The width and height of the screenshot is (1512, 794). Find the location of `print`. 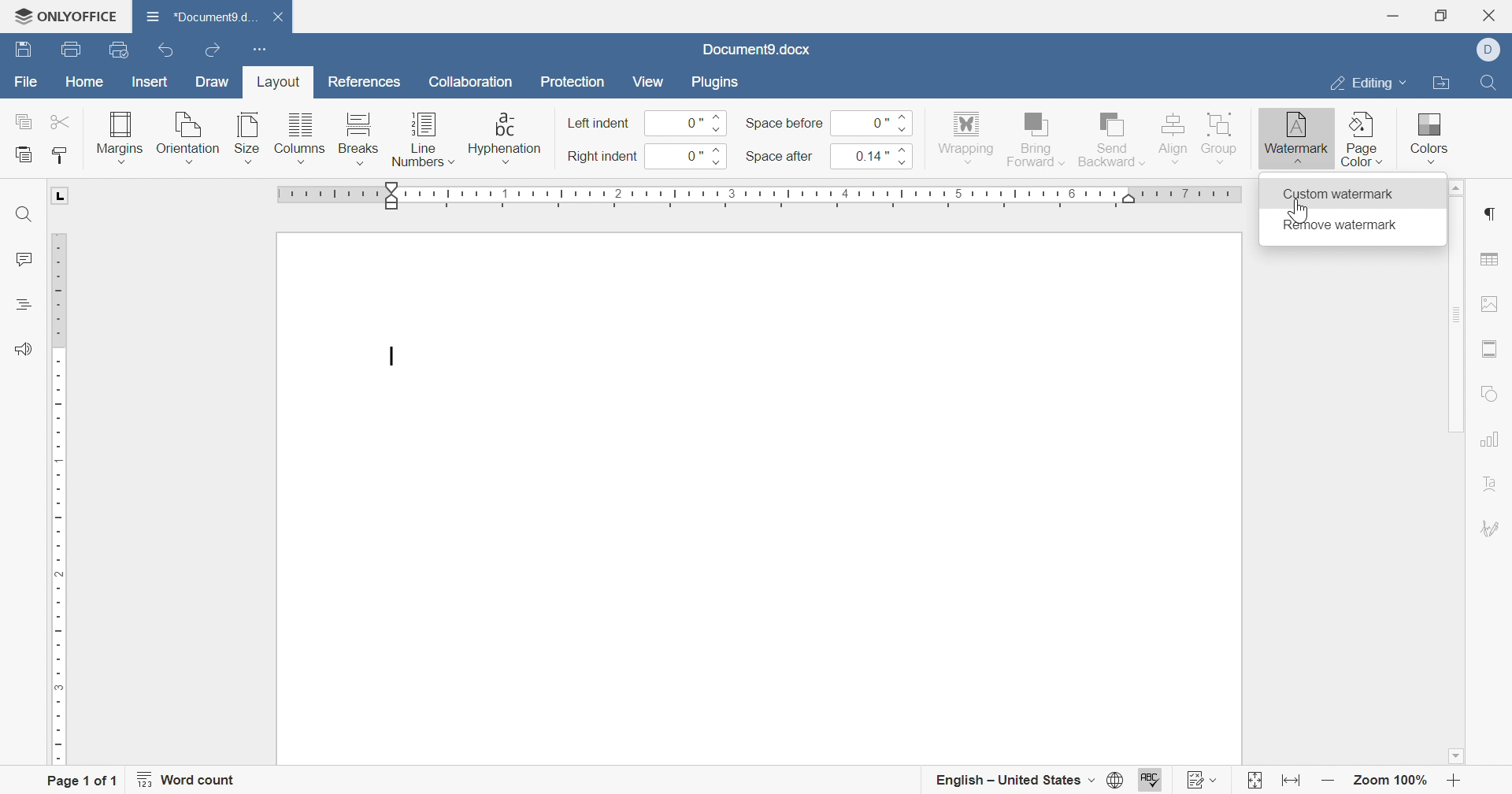

print is located at coordinates (69, 52).